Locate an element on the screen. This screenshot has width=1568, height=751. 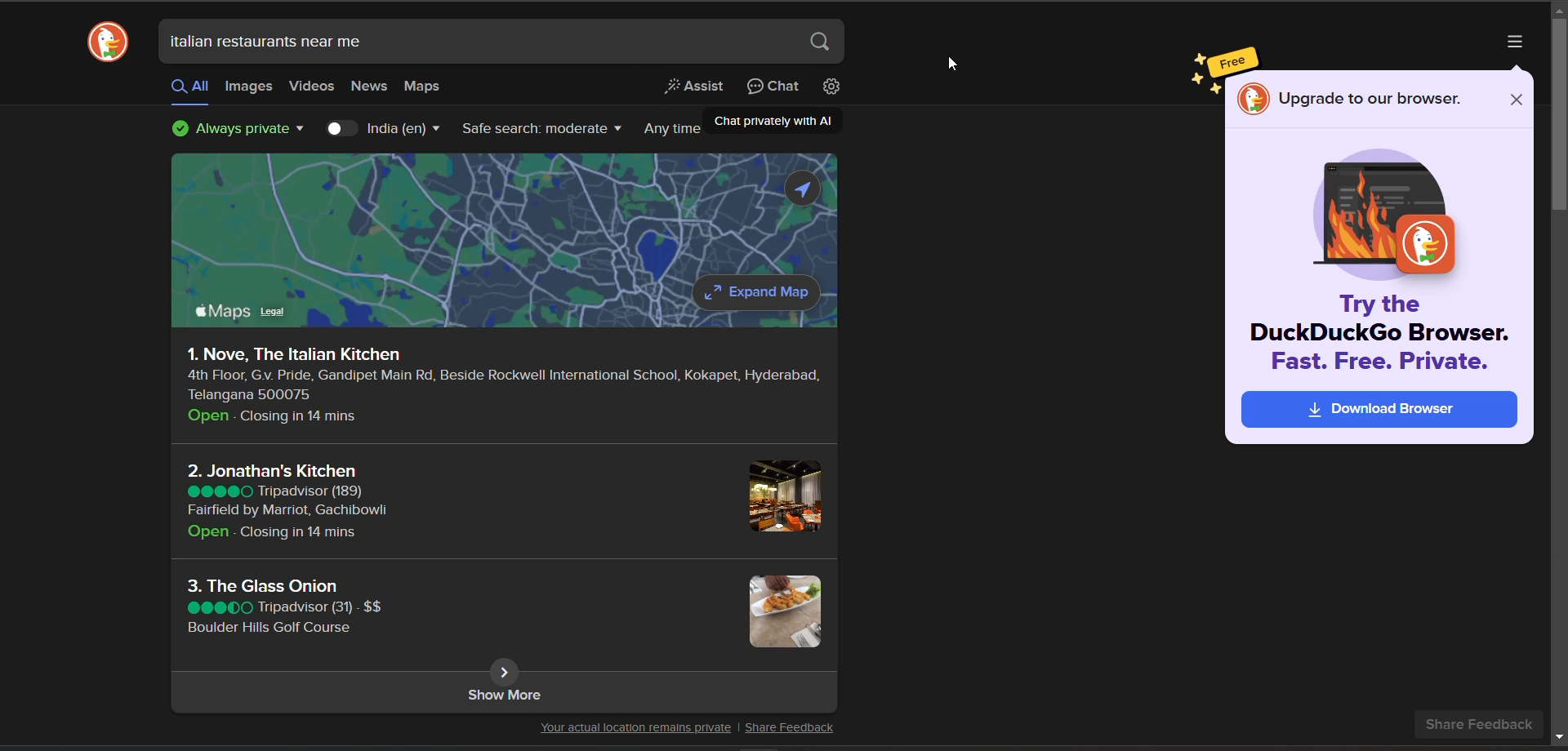
results timeline filter is located at coordinates (672, 130).